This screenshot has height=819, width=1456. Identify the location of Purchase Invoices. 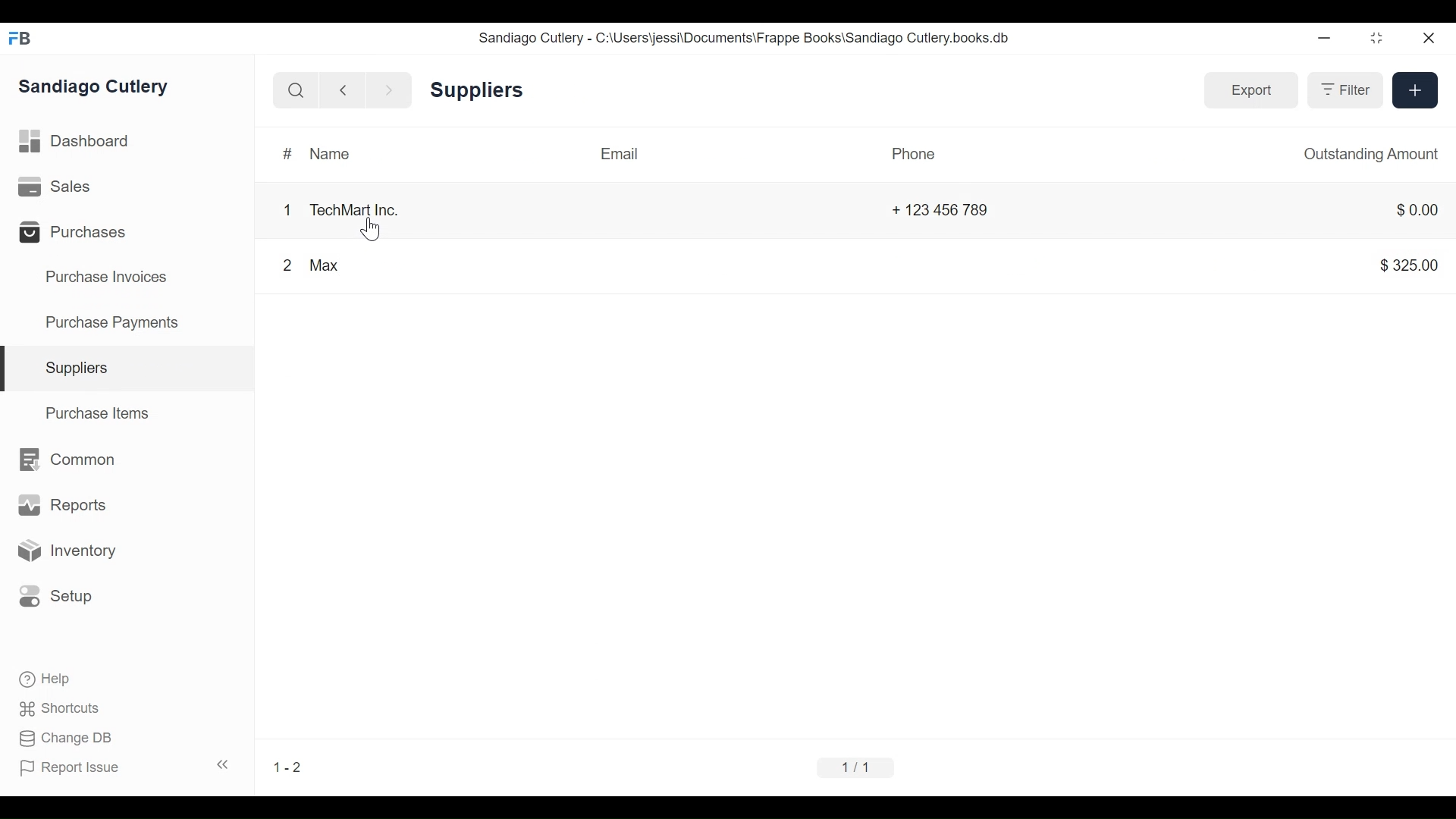
(110, 279).